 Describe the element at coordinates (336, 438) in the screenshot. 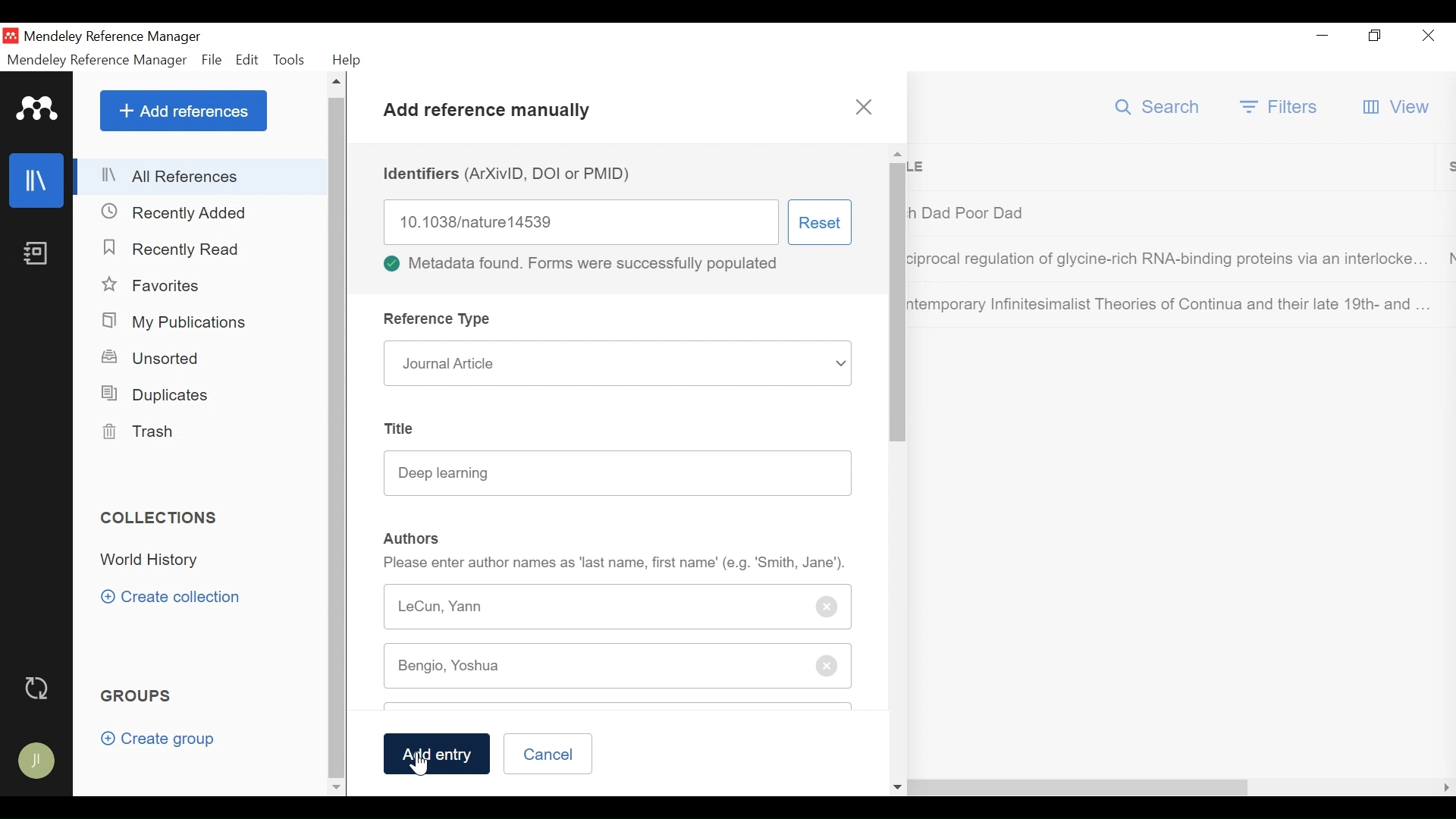

I see `Vertical Scroll bar` at that location.